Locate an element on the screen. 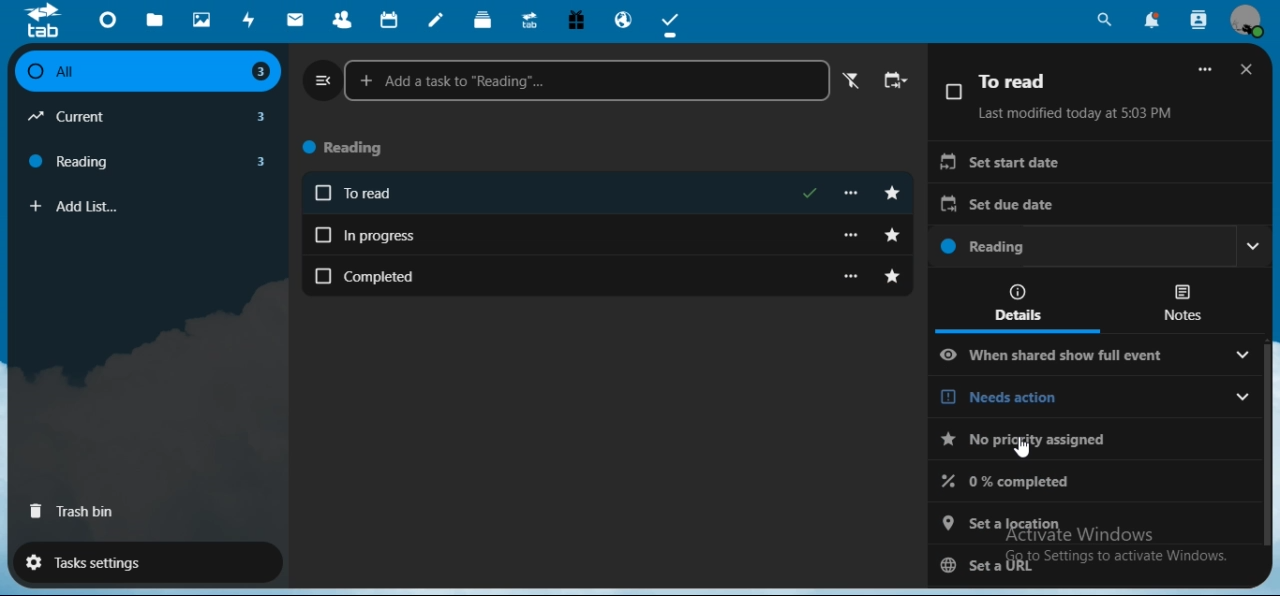  dashboard is located at coordinates (107, 19).